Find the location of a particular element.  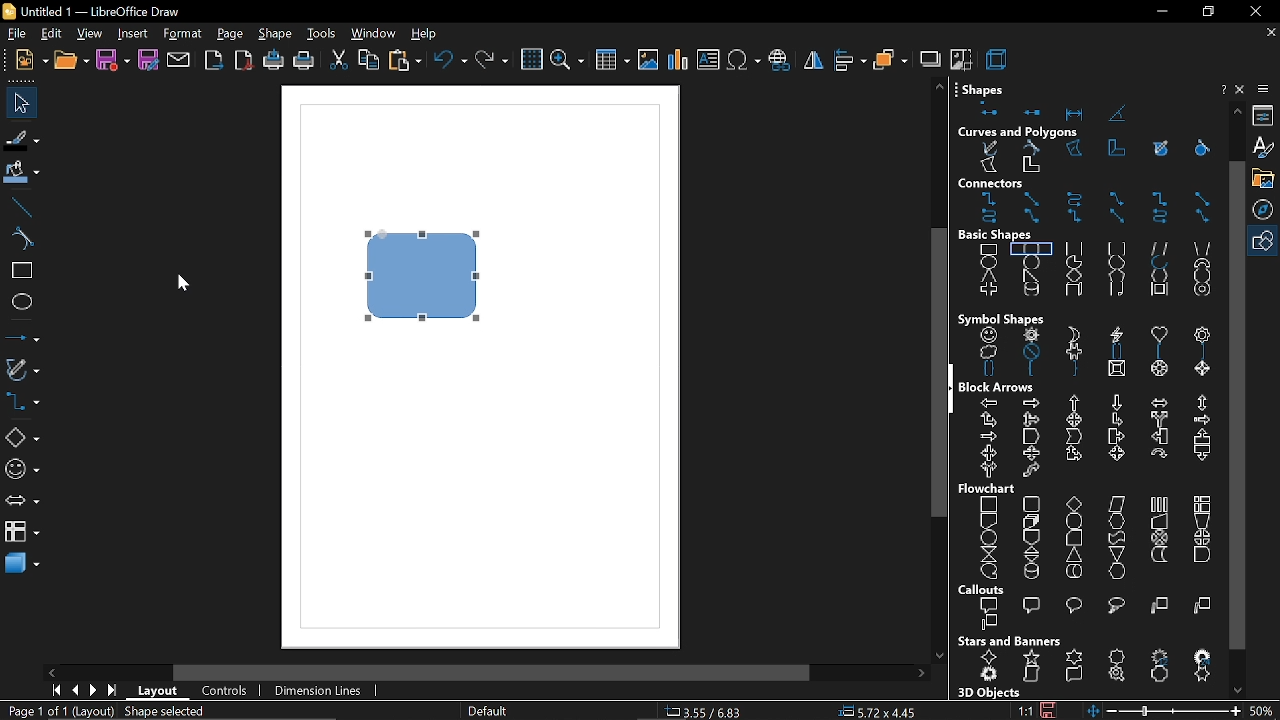

connectors is located at coordinates (22, 403).